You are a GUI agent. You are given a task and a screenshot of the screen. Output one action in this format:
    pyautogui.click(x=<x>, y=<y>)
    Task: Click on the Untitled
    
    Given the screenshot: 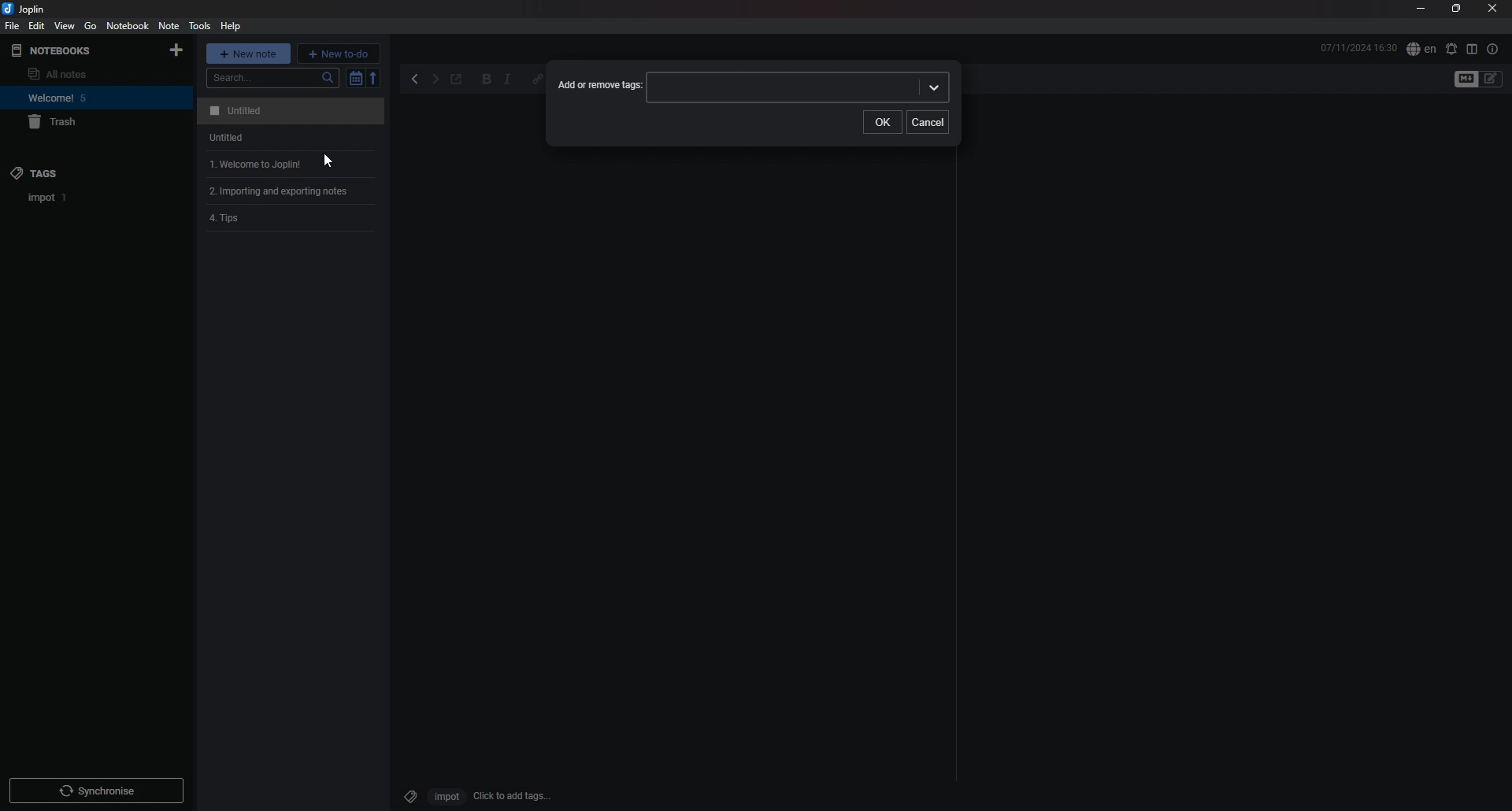 What is the action you would take?
    pyautogui.click(x=288, y=111)
    